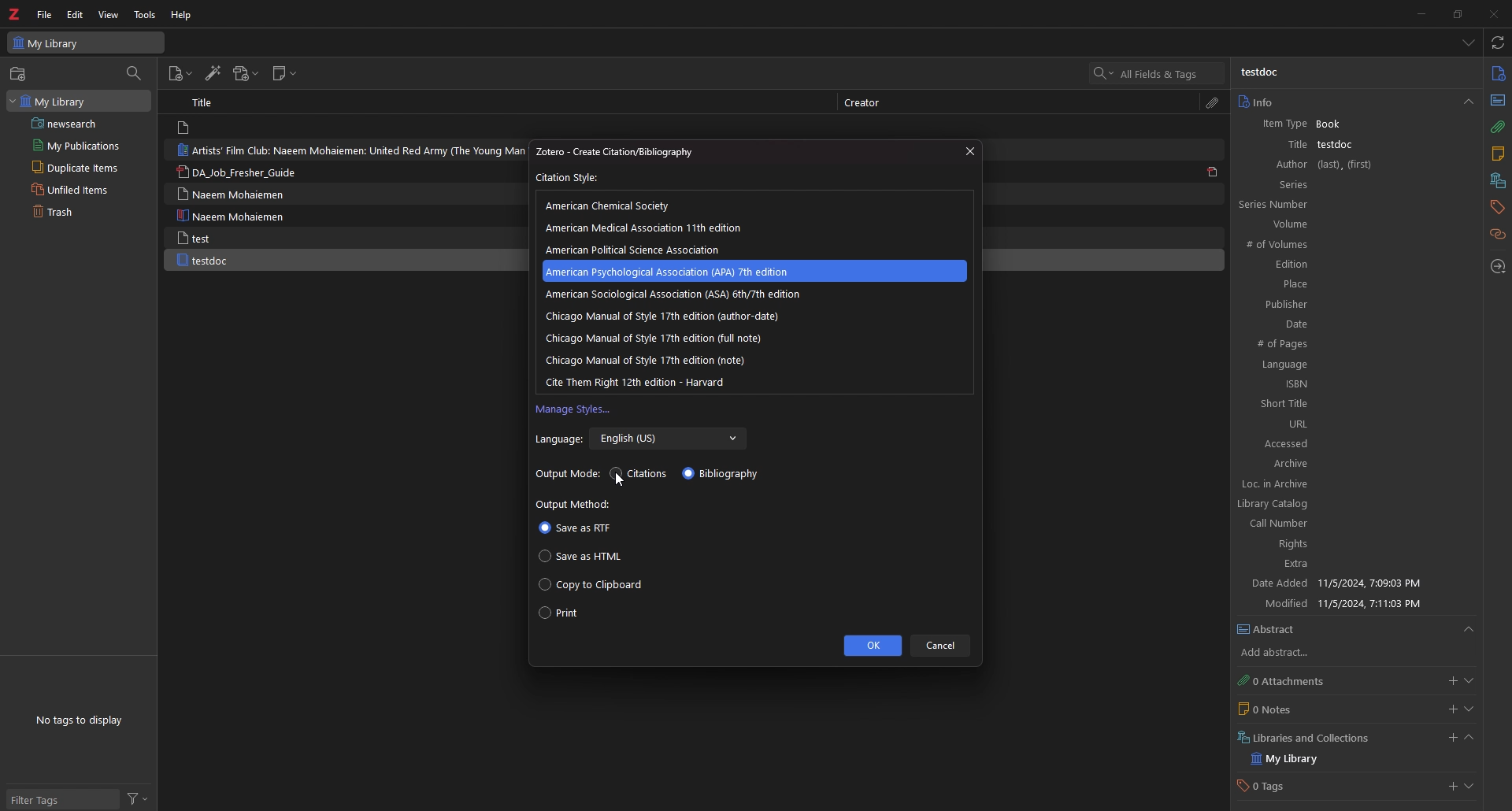 The width and height of the screenshot is (1512, 811). What do you see at coordinates (871, 646) in the screenshot?
I see `ok` at bounding box center [871, 646].